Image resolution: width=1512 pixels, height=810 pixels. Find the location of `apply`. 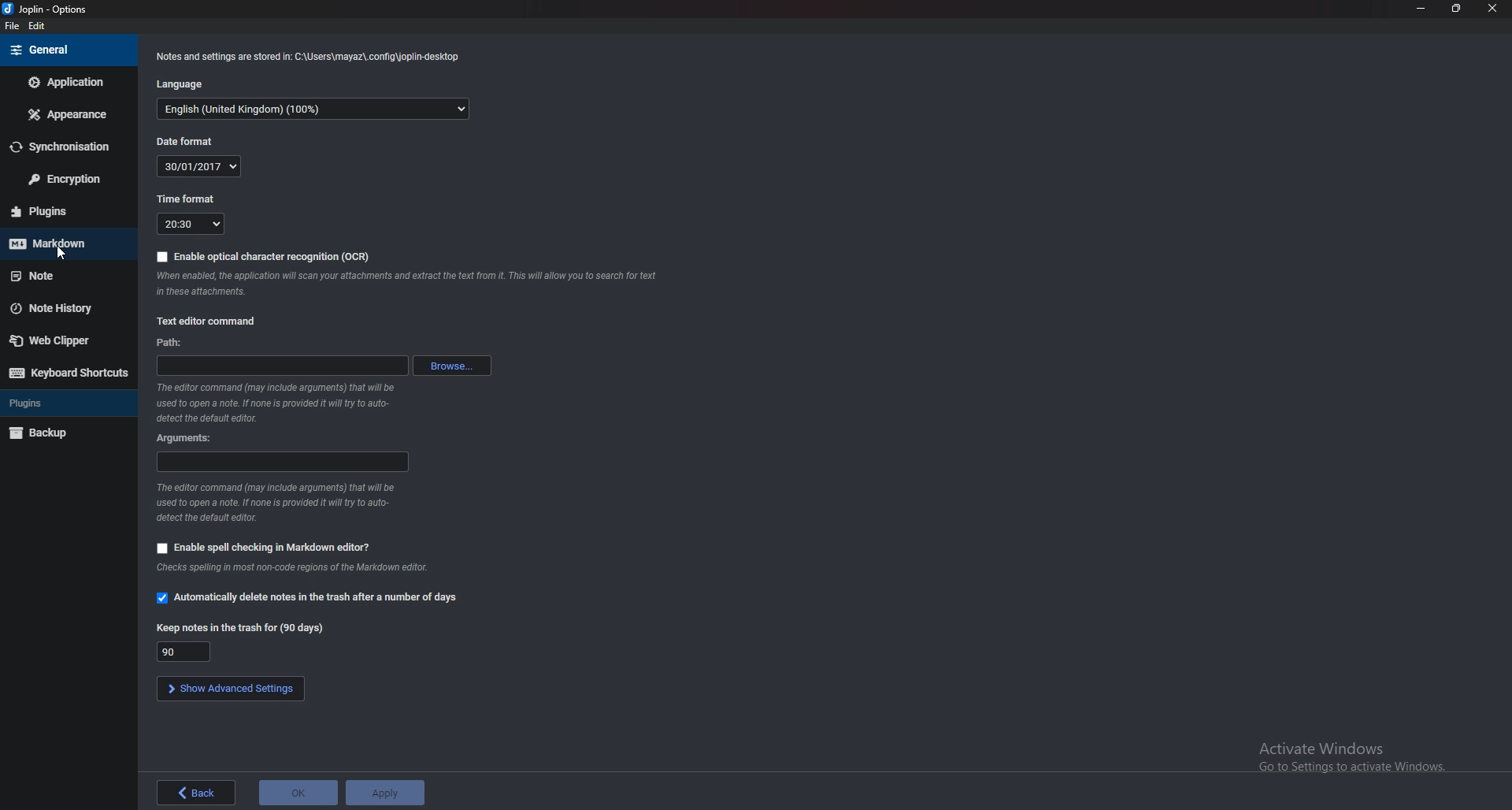

apply is located at coordinates (387, 793).